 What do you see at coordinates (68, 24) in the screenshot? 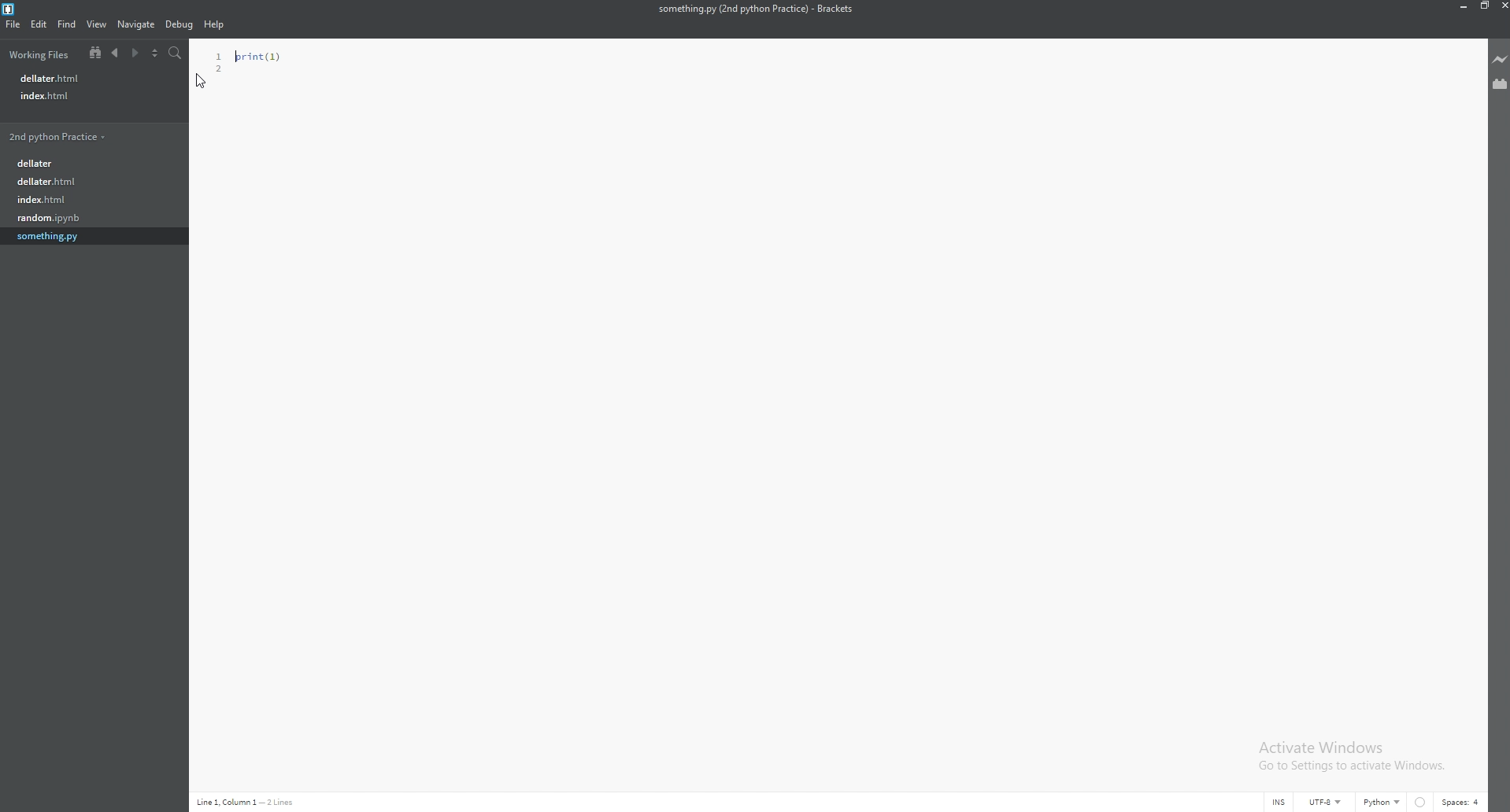
I see `find` at bounding box center [68, 24].